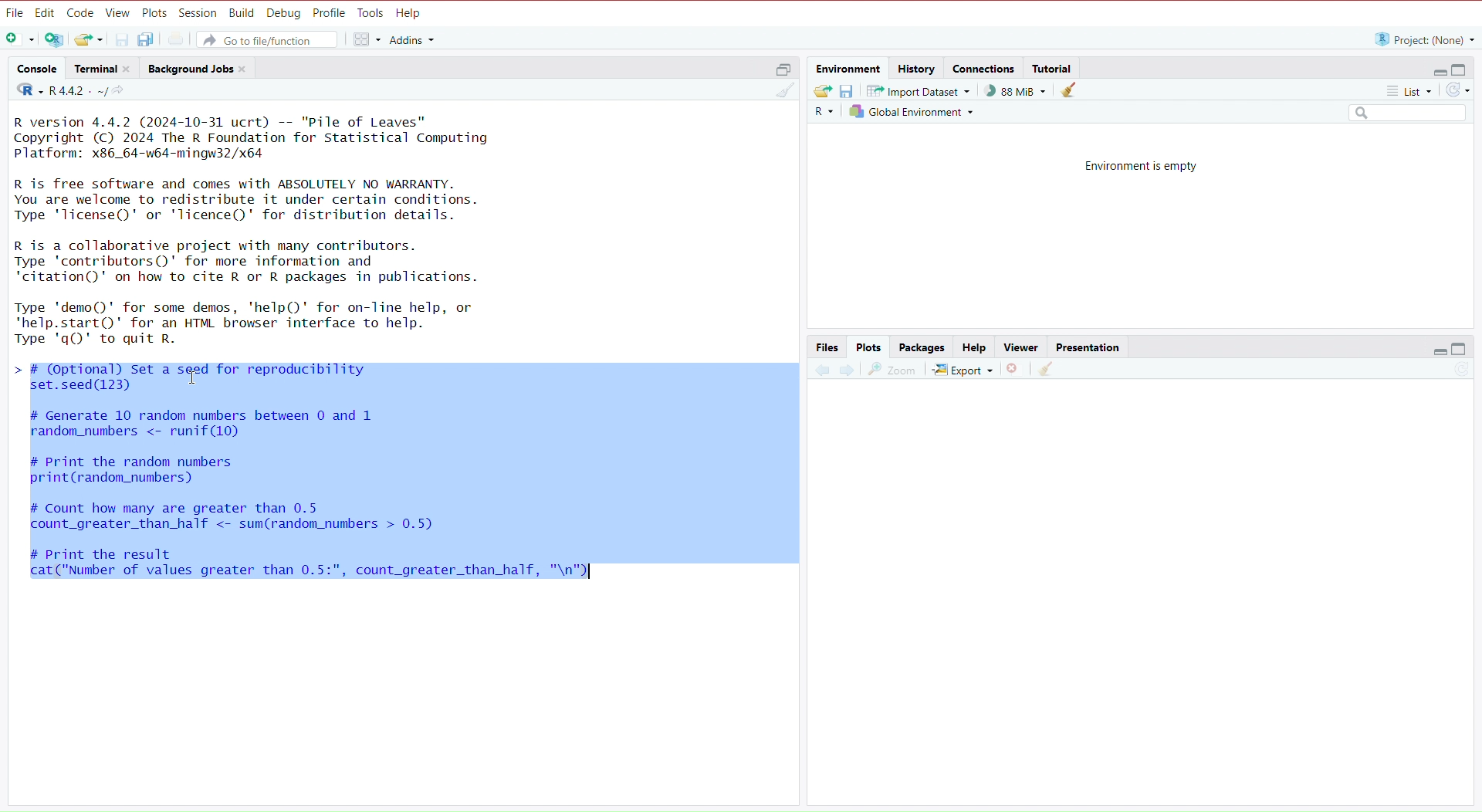 The image size is (1482, 812). What do you see at coordinates (983, 66) in the screenshot?
I see `Connections` at bounding box center [983, 66].